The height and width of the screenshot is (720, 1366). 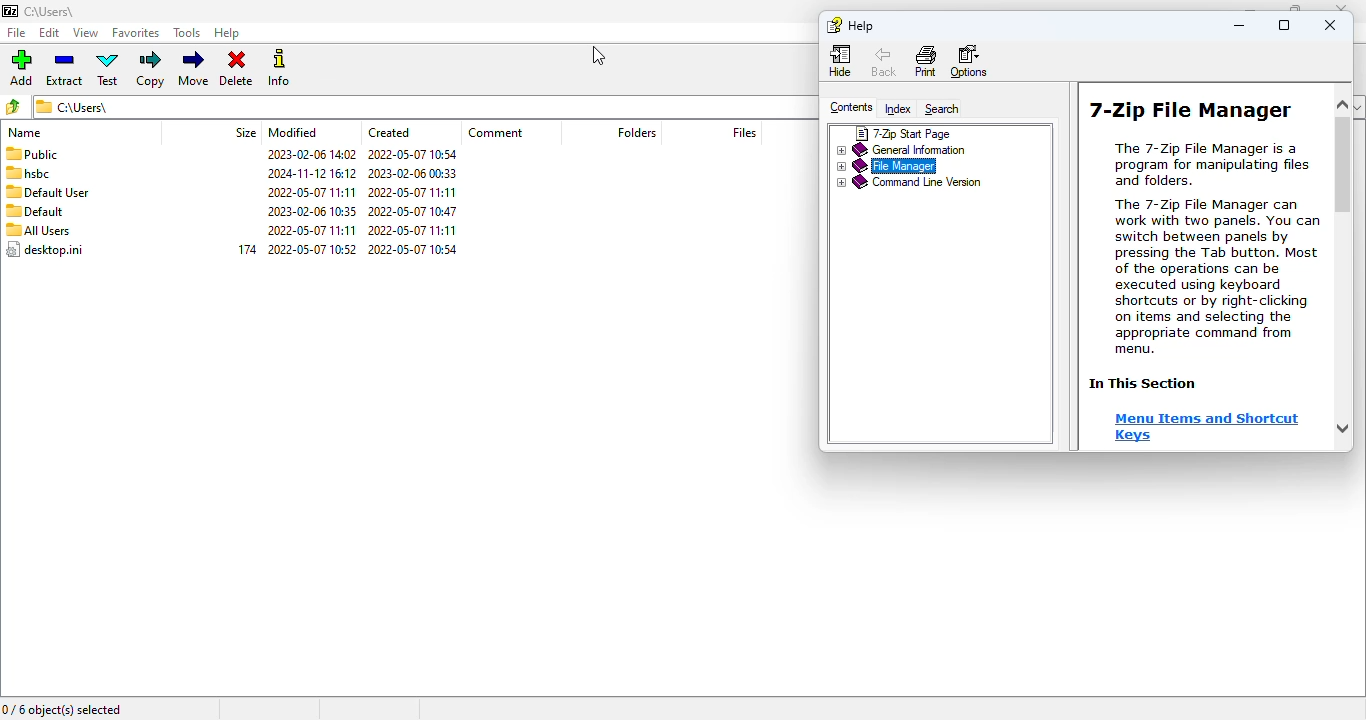 What do you see at coordinates (1239, 26) in the screenshot?
I see `minimize` at bounding box center [1239, 26].